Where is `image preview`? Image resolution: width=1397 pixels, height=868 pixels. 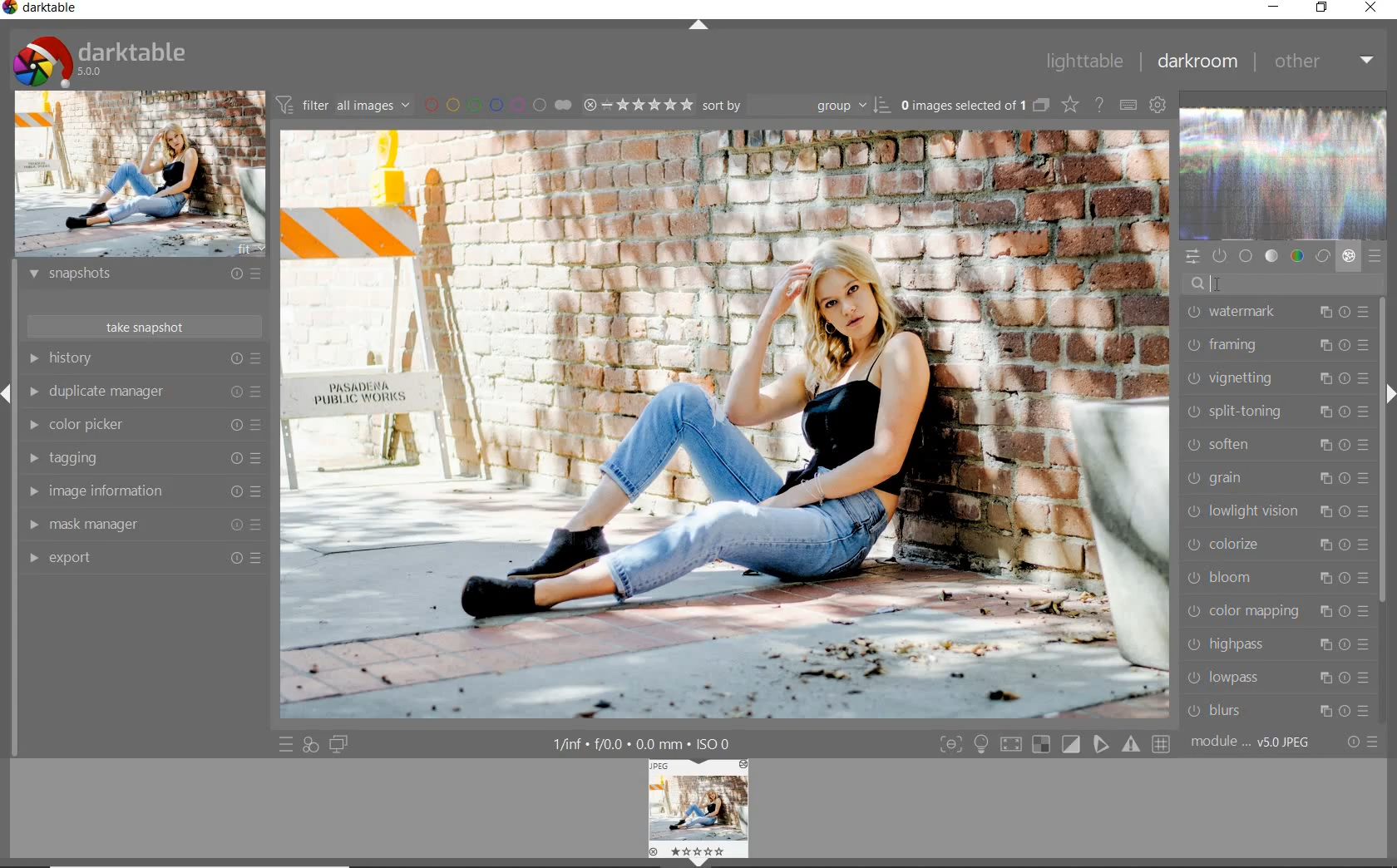 image preview is located at coordinates (698, 812).